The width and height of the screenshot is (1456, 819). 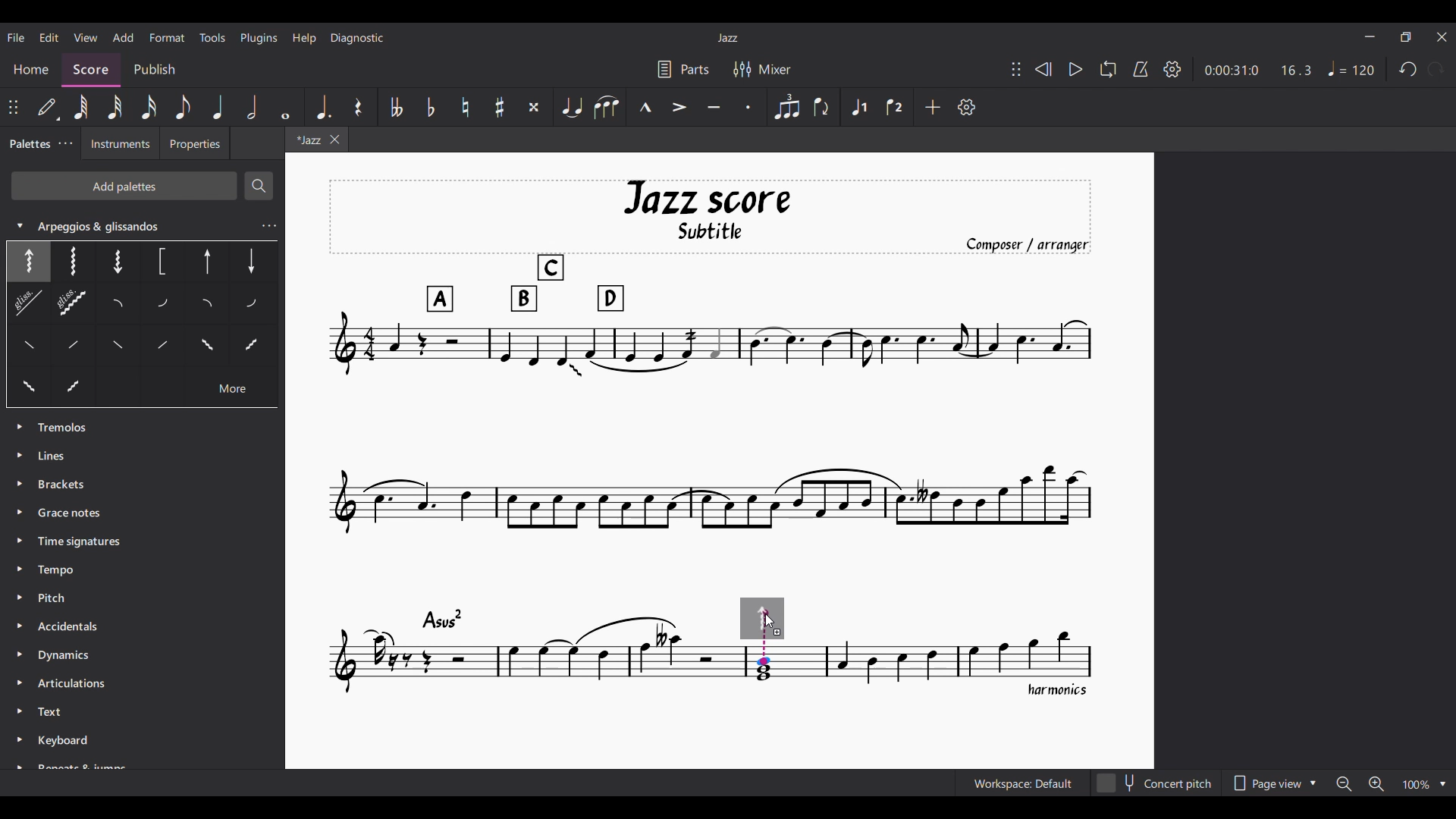 What do you see at coordinates (236, 388) in the screenshot?
I see `` at bounding box center [236, 388].